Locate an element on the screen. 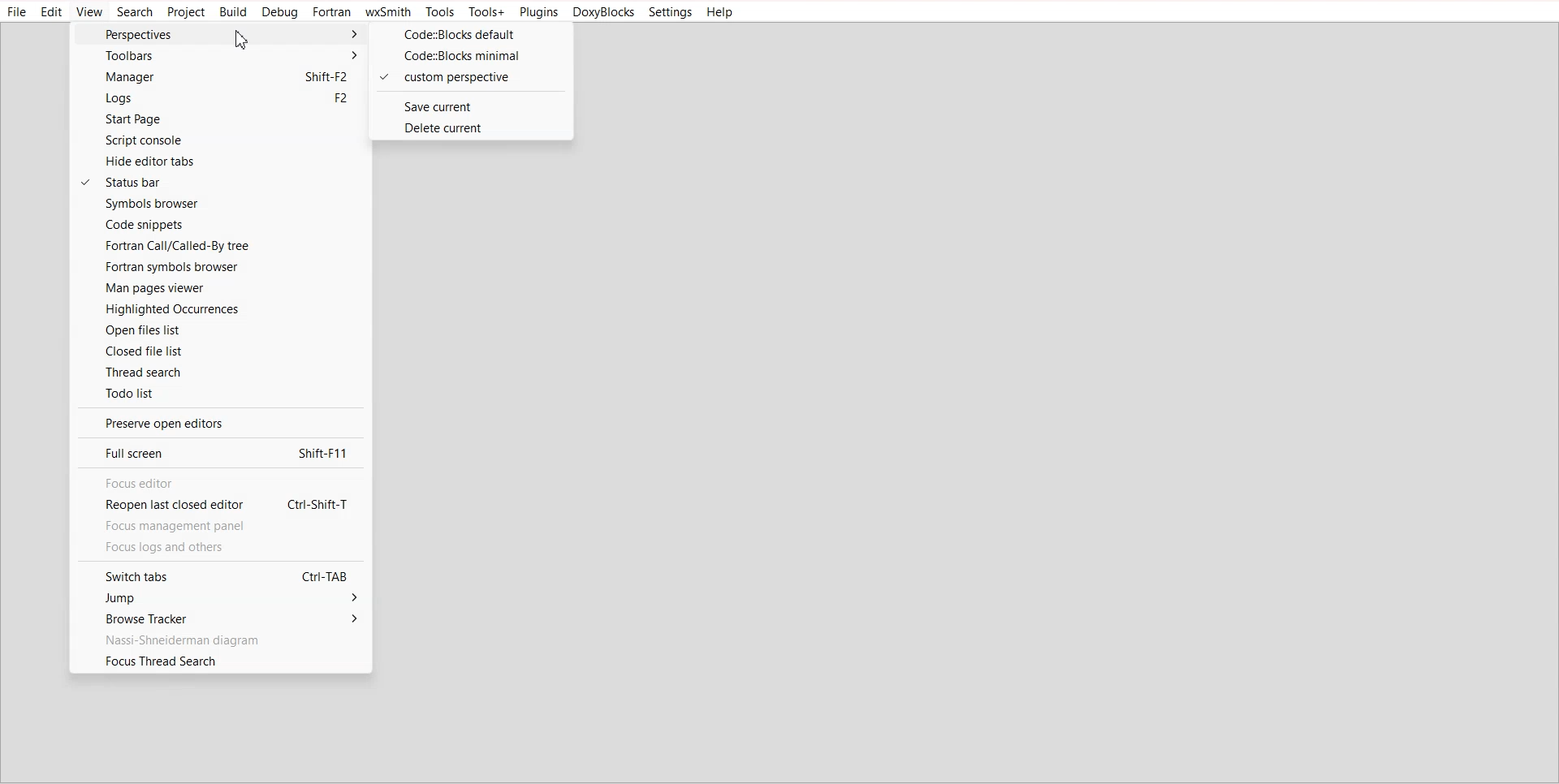 This screenshot has width=1559, height=784. Jump is located at coordinates (218, 599).